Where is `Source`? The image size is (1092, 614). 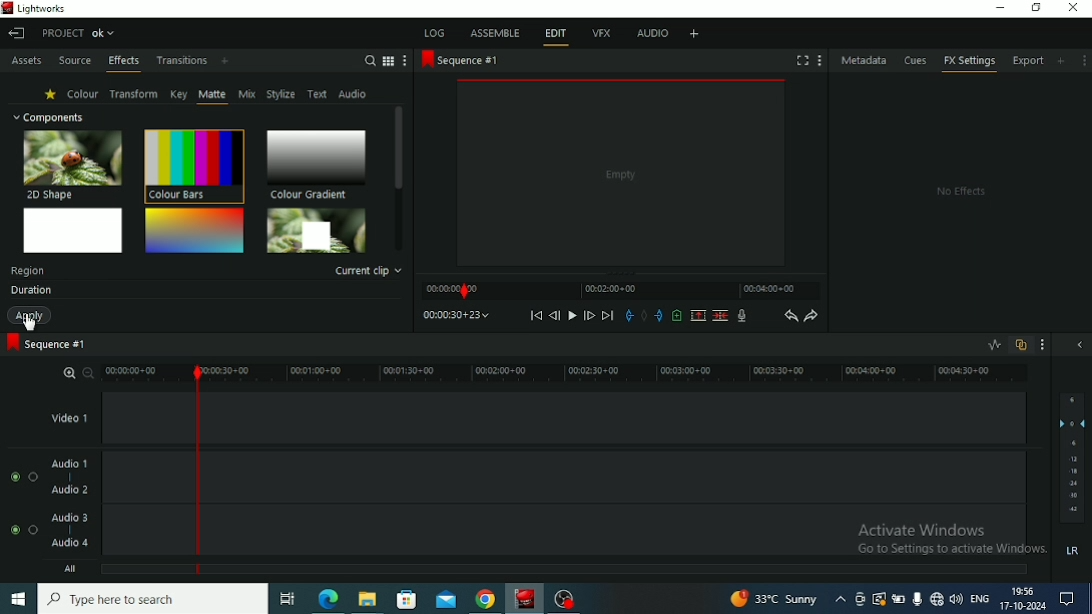 Source is located at coordinates (75, 62).